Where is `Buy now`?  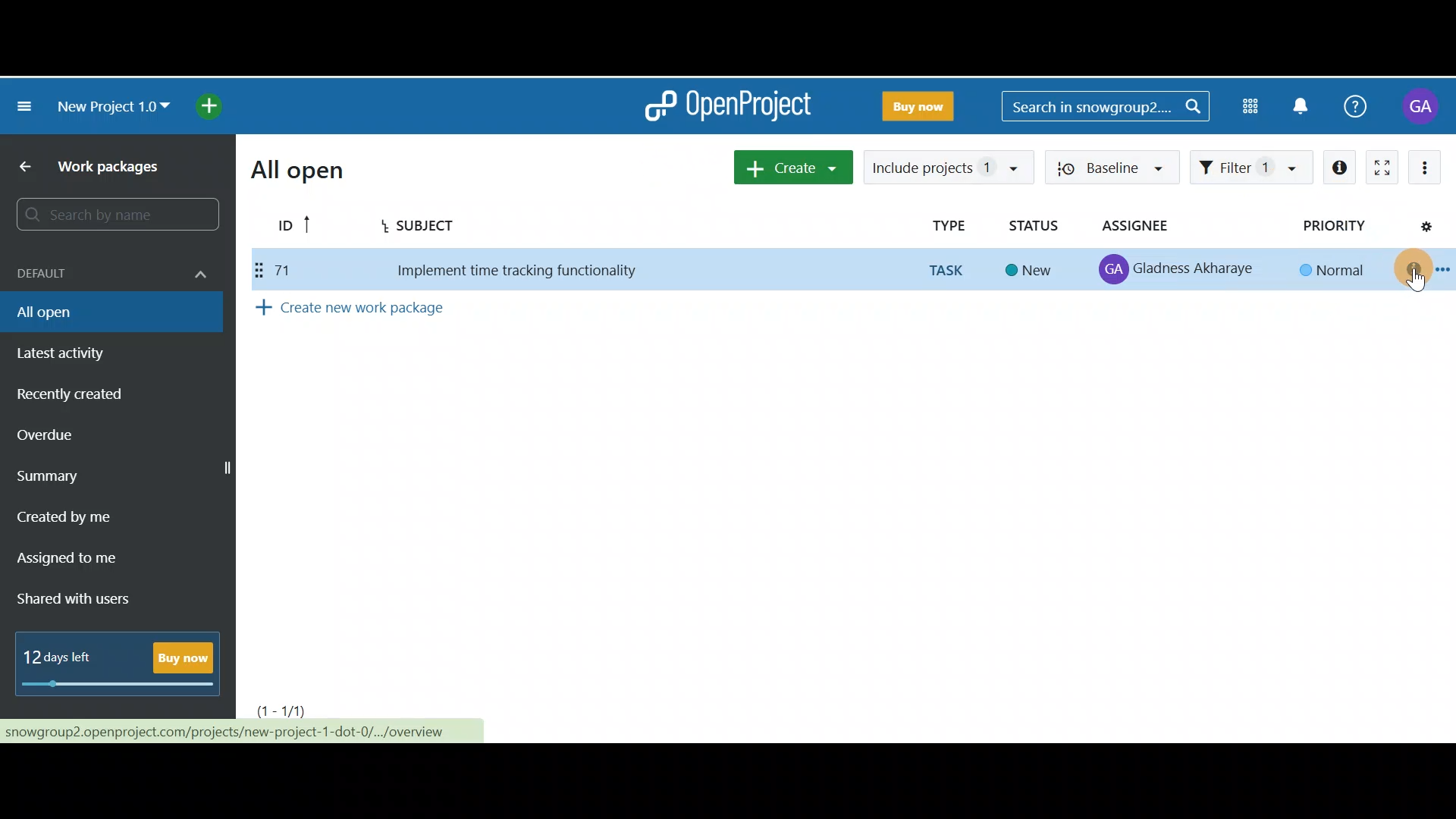 Buy now is located at coordinates (185, 657).